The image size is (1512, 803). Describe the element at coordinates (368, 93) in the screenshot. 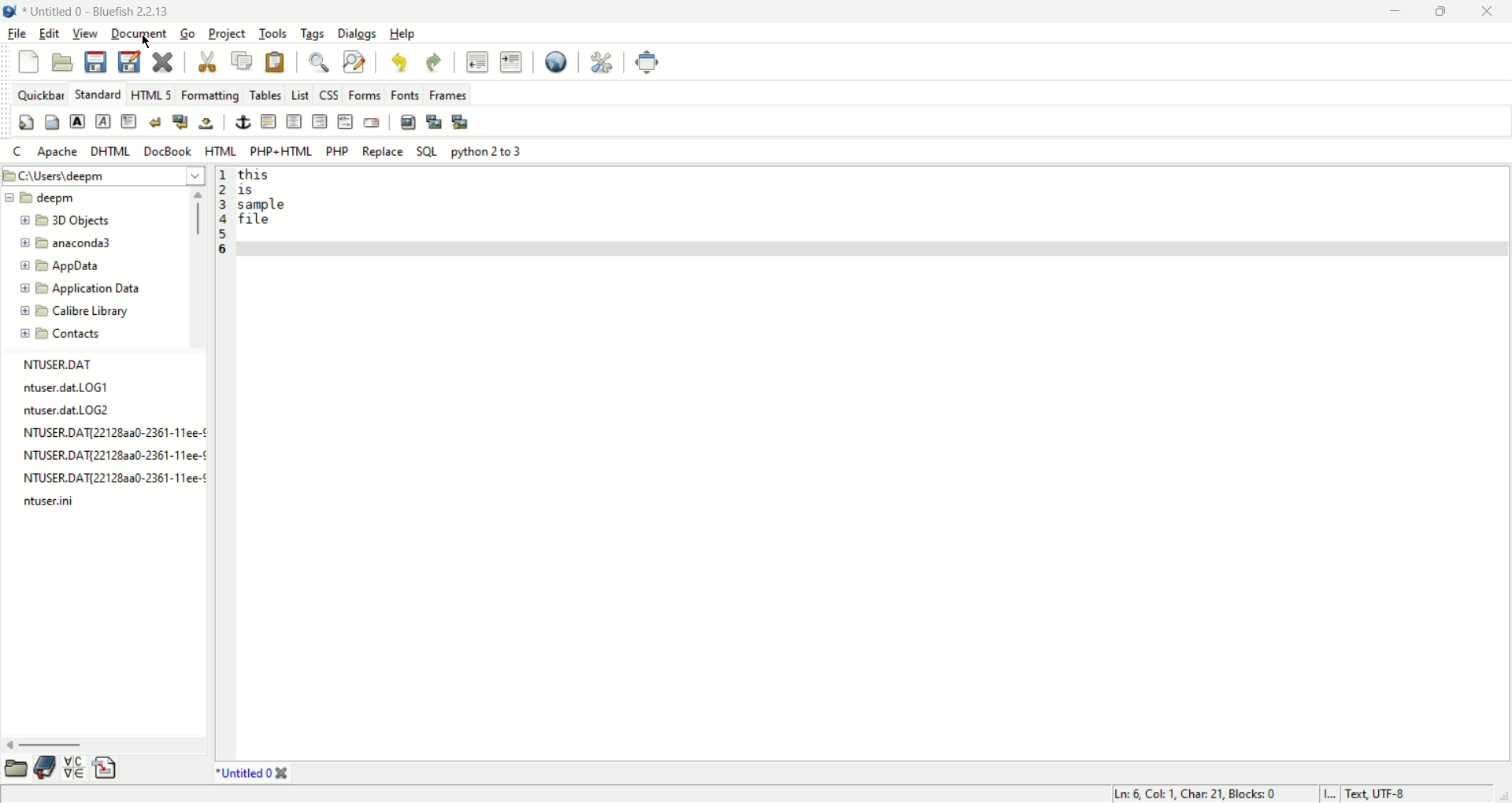

I see `forms` at that location.